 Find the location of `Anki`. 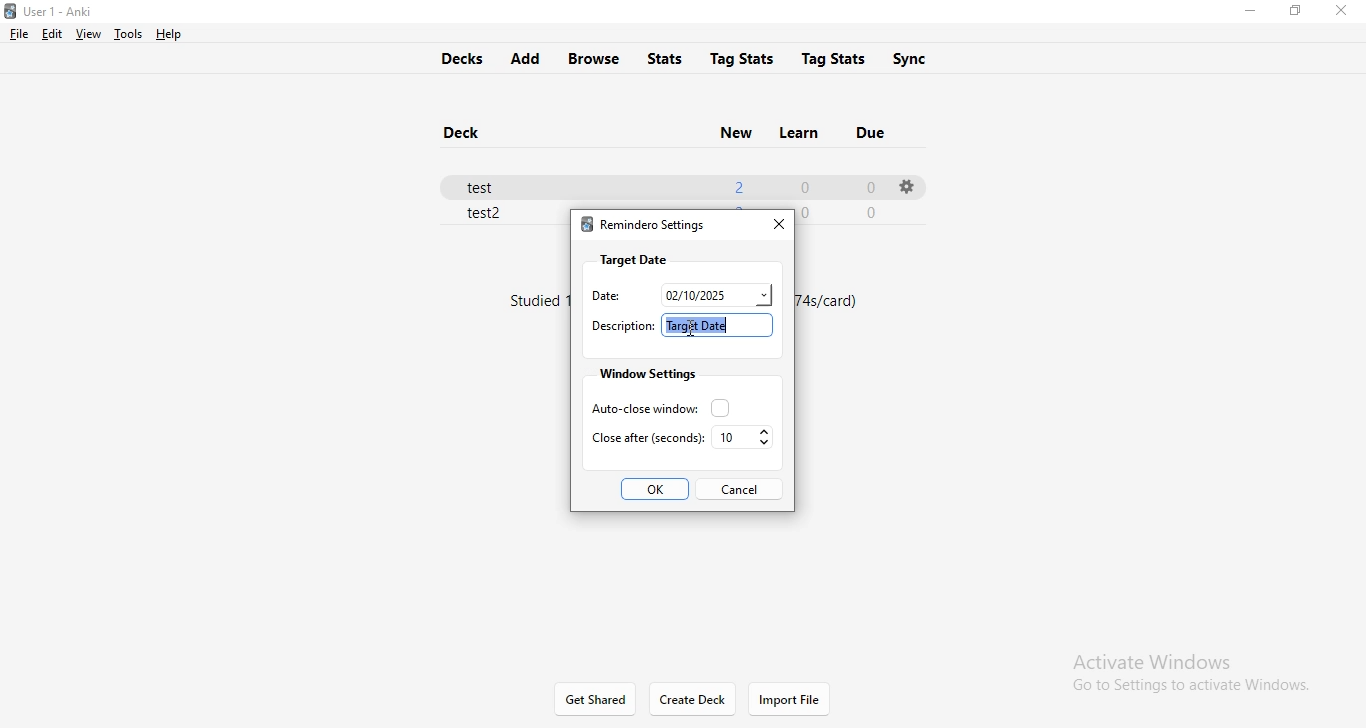

Anki is located at coordinates (58, 12).